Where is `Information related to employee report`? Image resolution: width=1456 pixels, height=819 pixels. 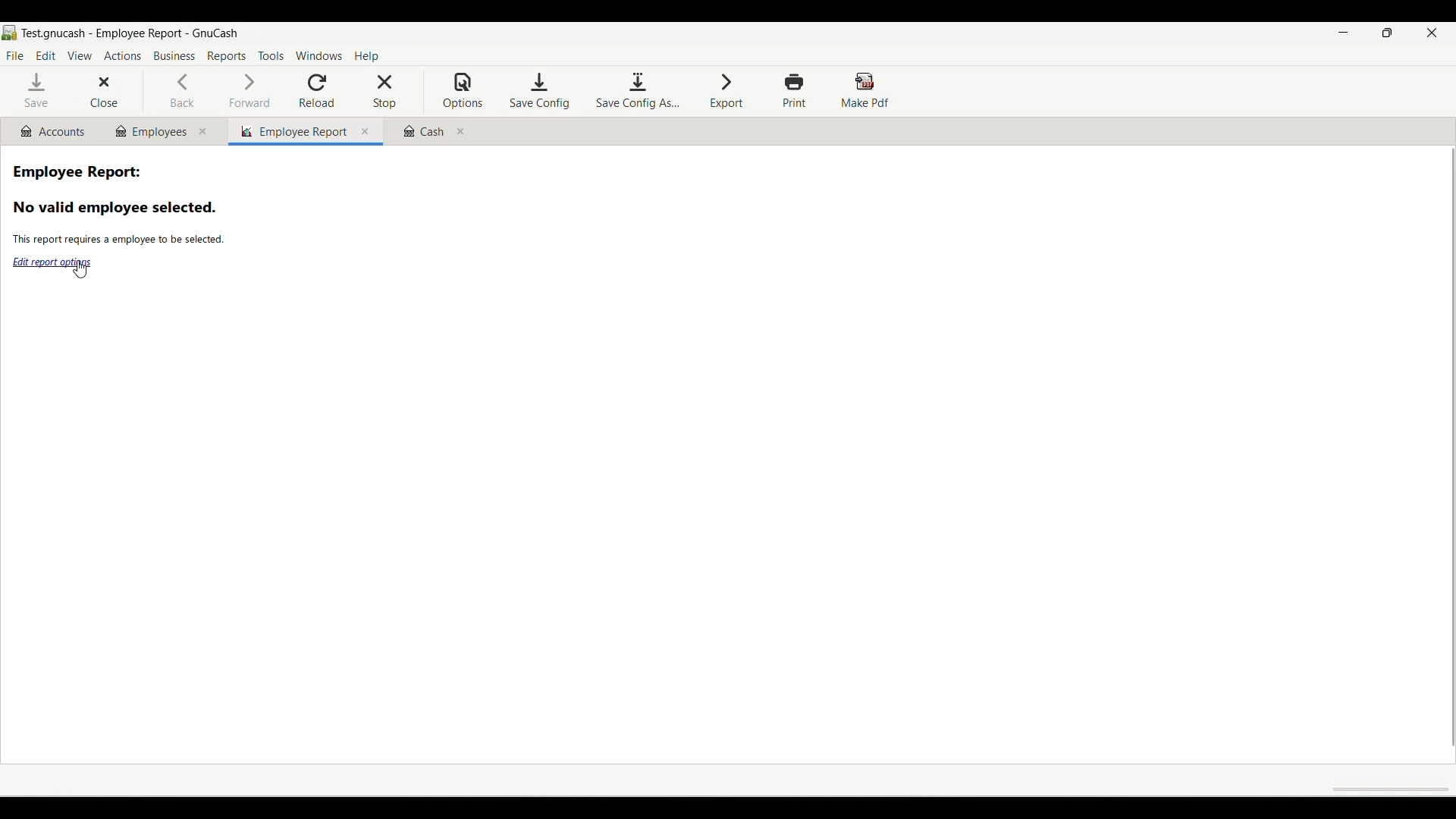 Information related to employee report is located at coordinates (123, 216).